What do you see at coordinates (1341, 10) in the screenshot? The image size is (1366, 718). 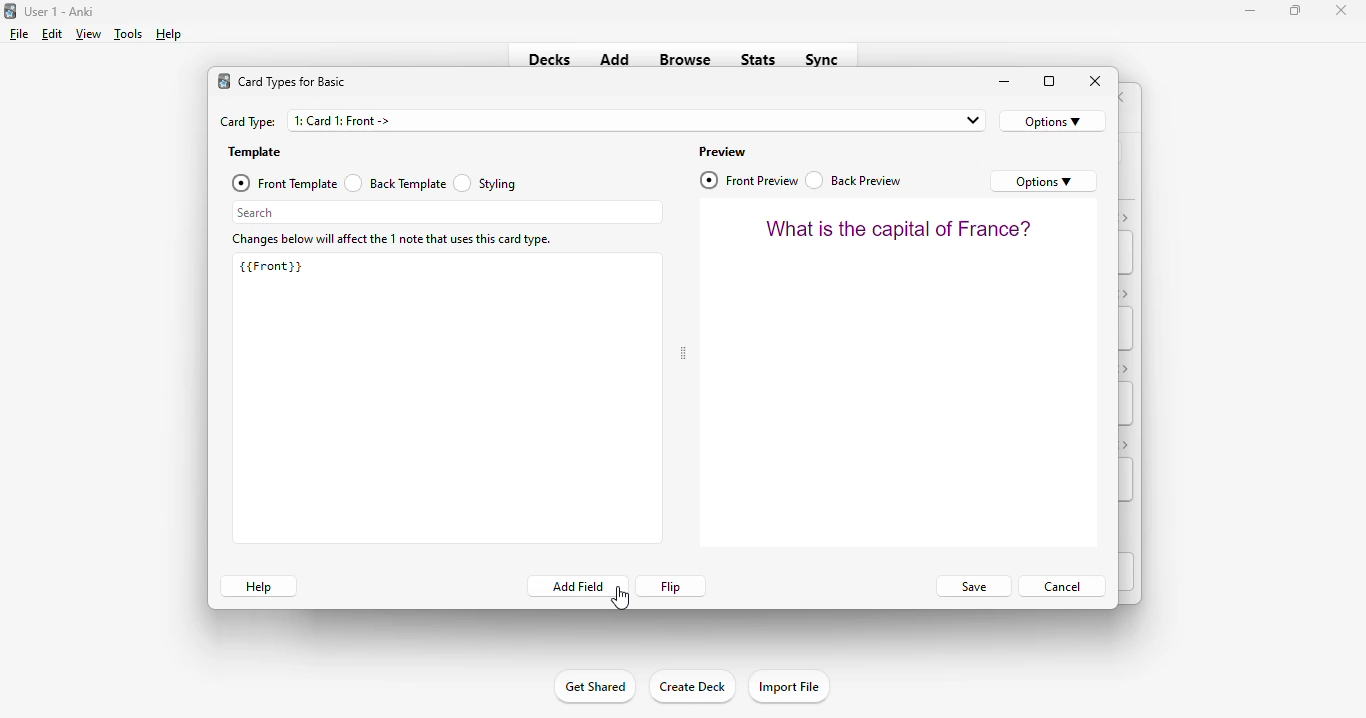 I see `close` at bounding box center [1341, 10].